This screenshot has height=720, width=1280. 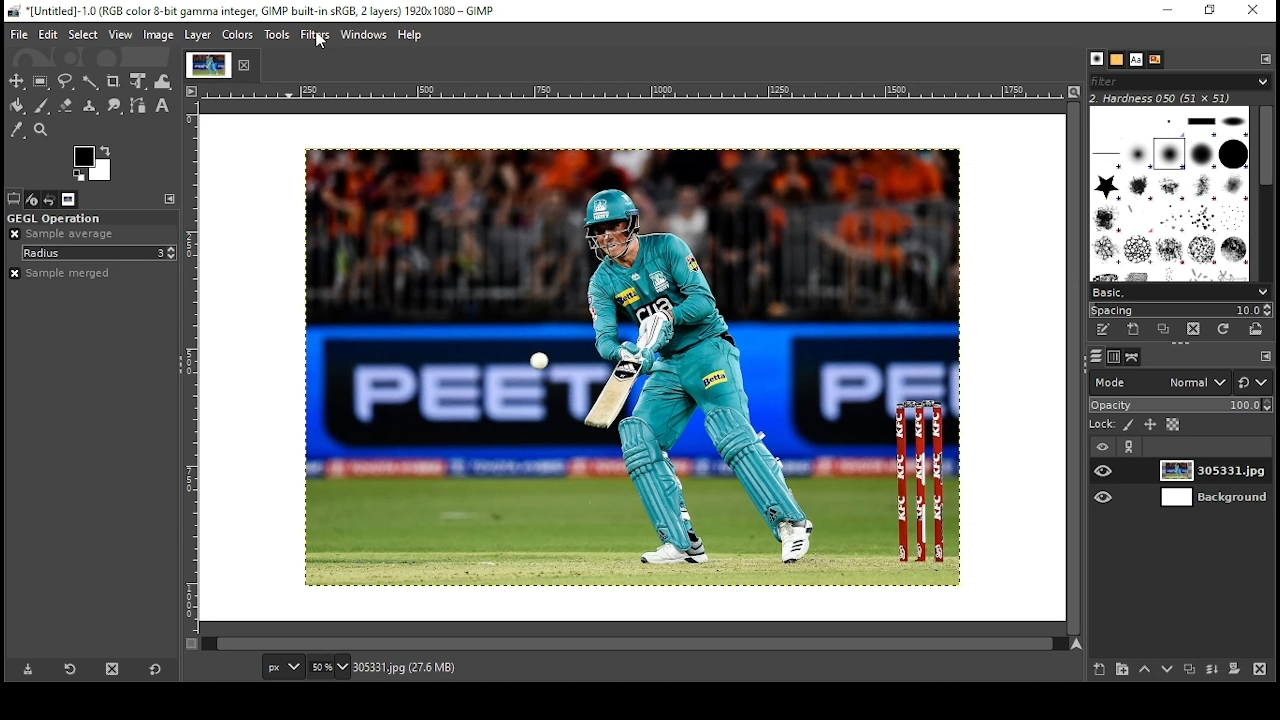 I want to click on scroll bar, so click(x=1264, y=194).